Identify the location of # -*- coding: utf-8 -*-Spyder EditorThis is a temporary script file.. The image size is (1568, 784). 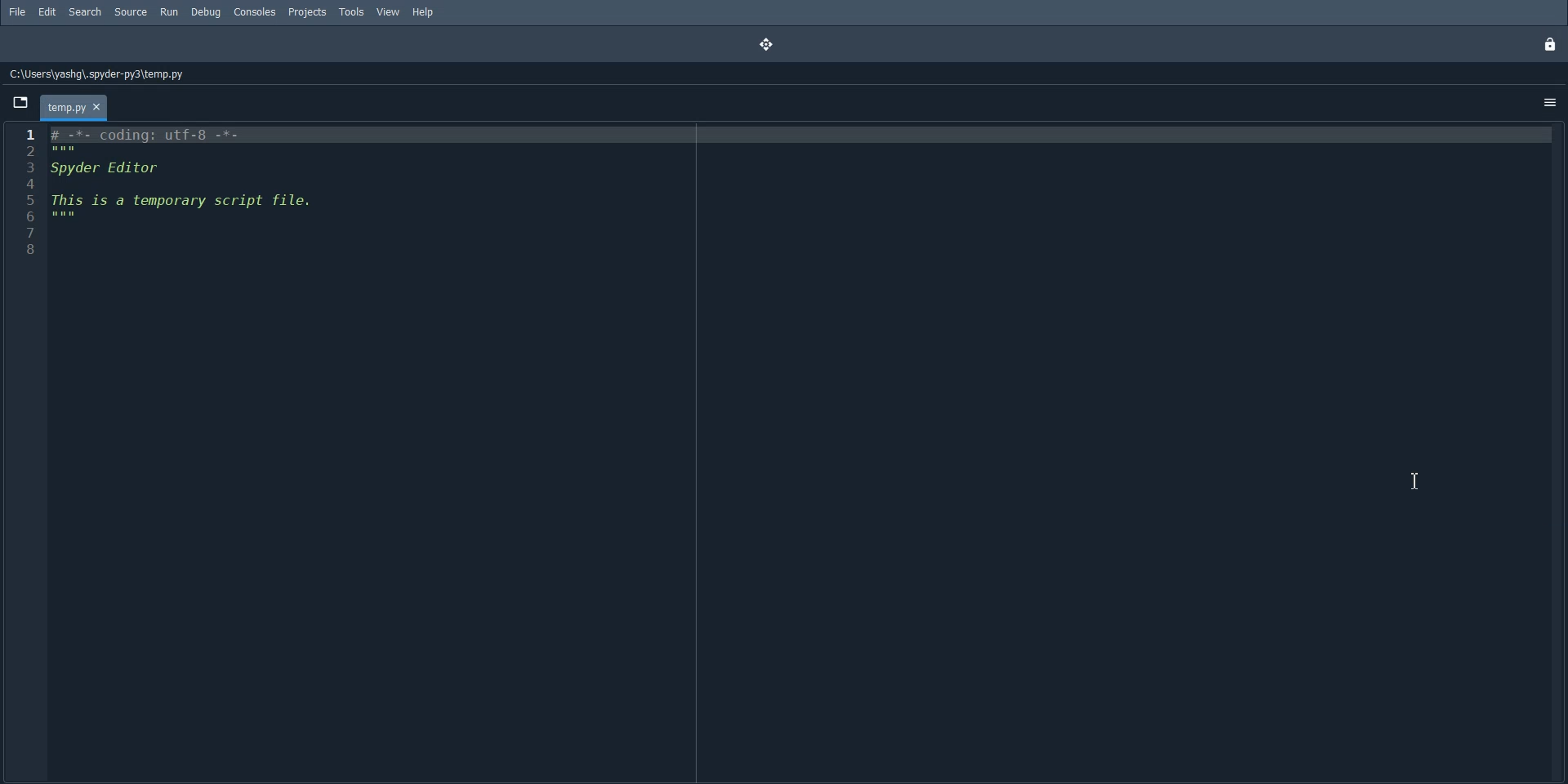
(183, 174).